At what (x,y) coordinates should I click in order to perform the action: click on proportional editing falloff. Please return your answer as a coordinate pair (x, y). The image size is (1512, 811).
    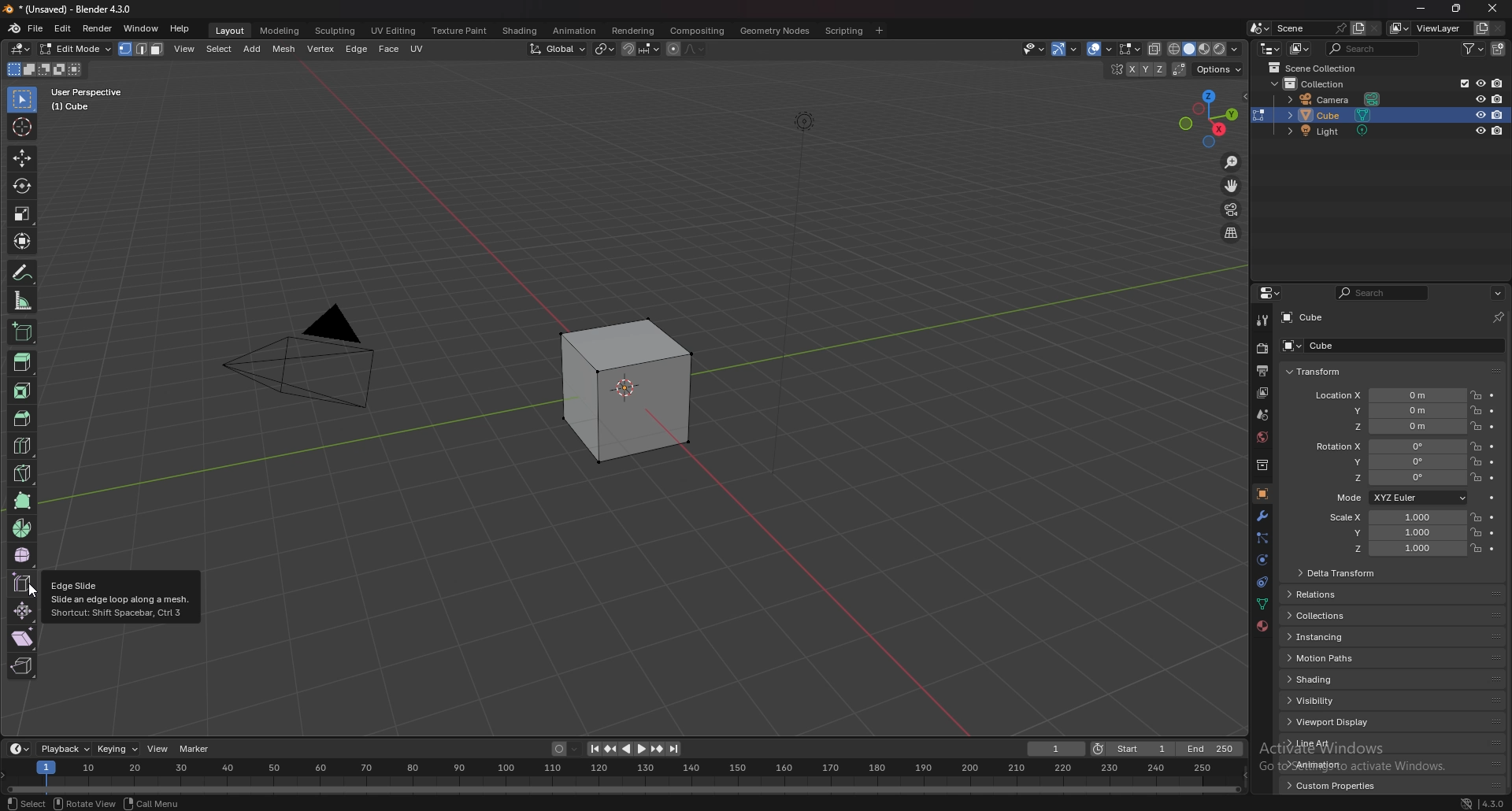
    Looking at the image, I should click on (695, 49).